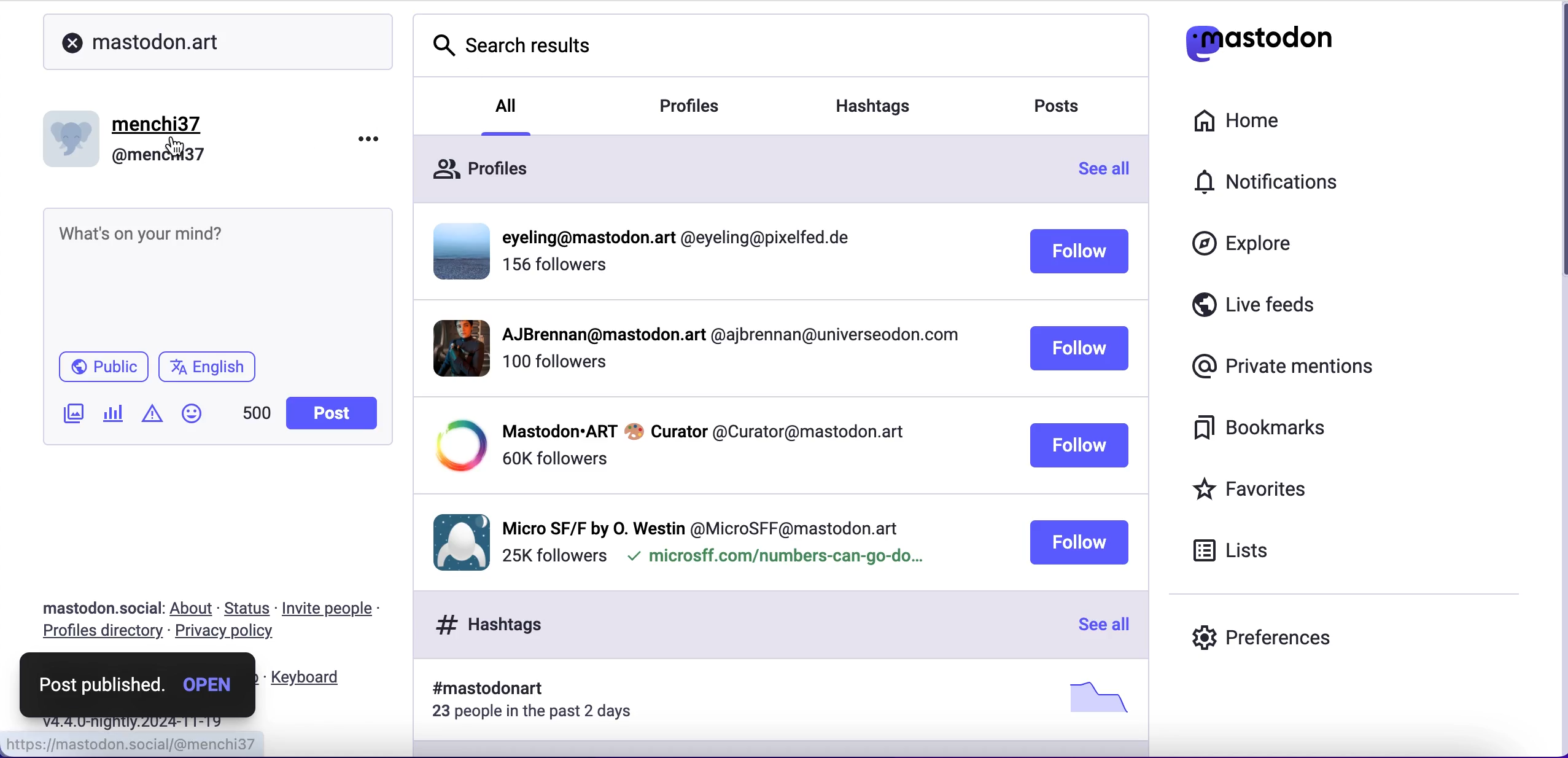  What do you see at coordinates (1081, 543) in the screenshot?
I see `follow` at bounding box center [1081, 543].